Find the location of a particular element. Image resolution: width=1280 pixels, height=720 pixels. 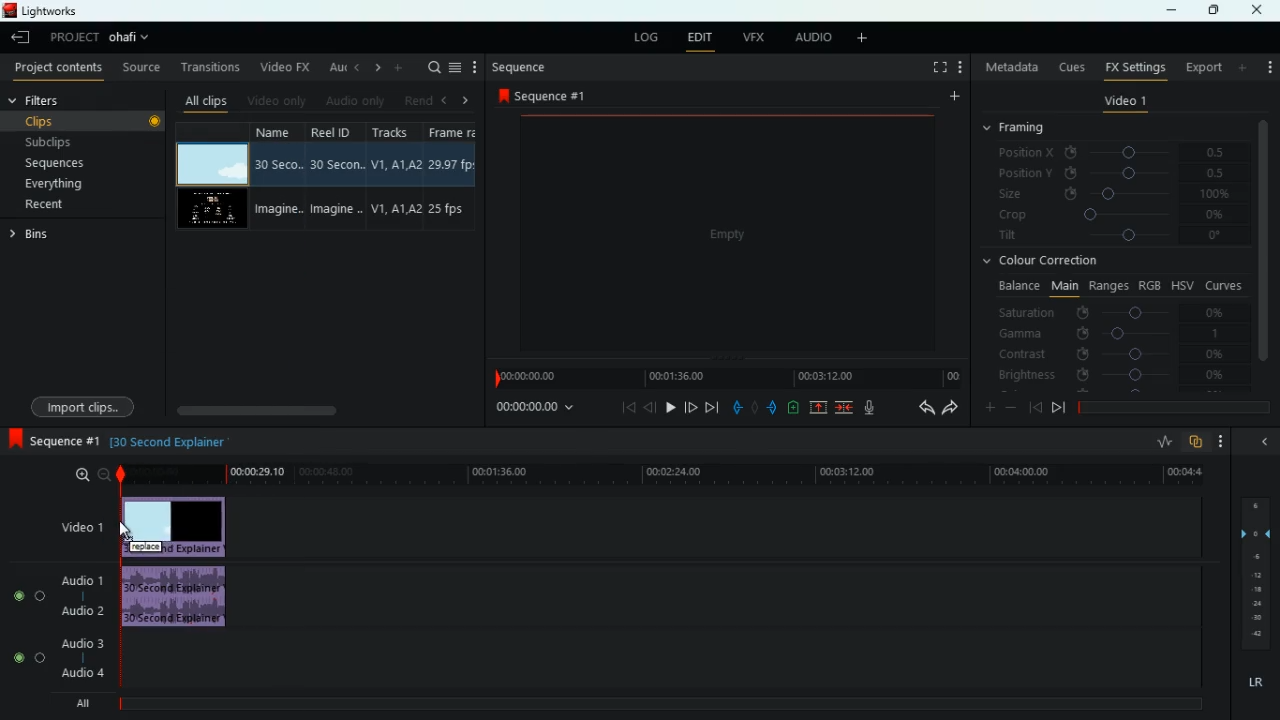

menu is located at coordinates (455, 67).